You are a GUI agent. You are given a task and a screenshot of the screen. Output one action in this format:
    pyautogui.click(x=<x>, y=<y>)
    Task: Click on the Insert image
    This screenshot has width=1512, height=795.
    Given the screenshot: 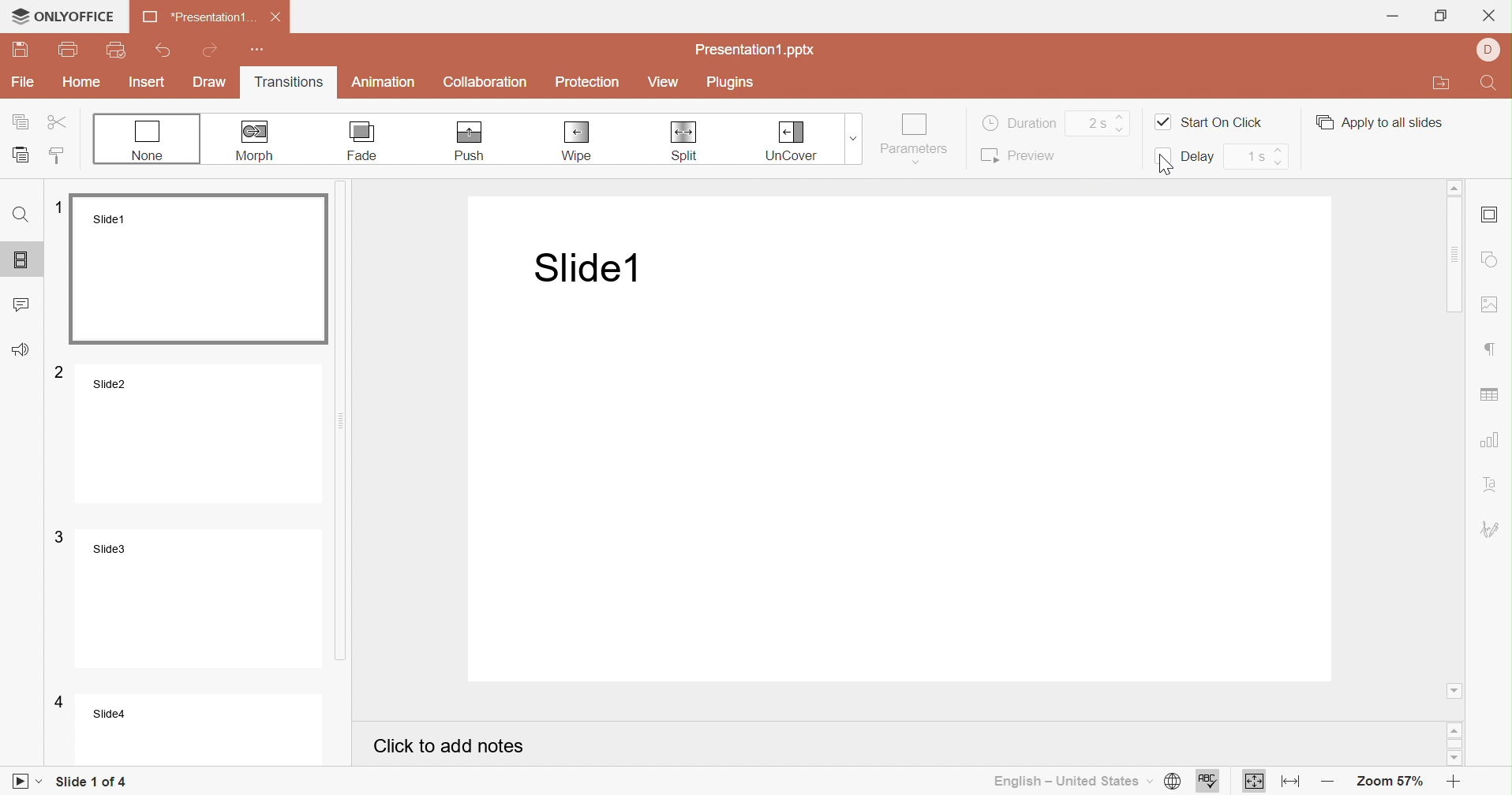 What is the action you would take?
    pyautogui.click(x=1492, y=305)
    